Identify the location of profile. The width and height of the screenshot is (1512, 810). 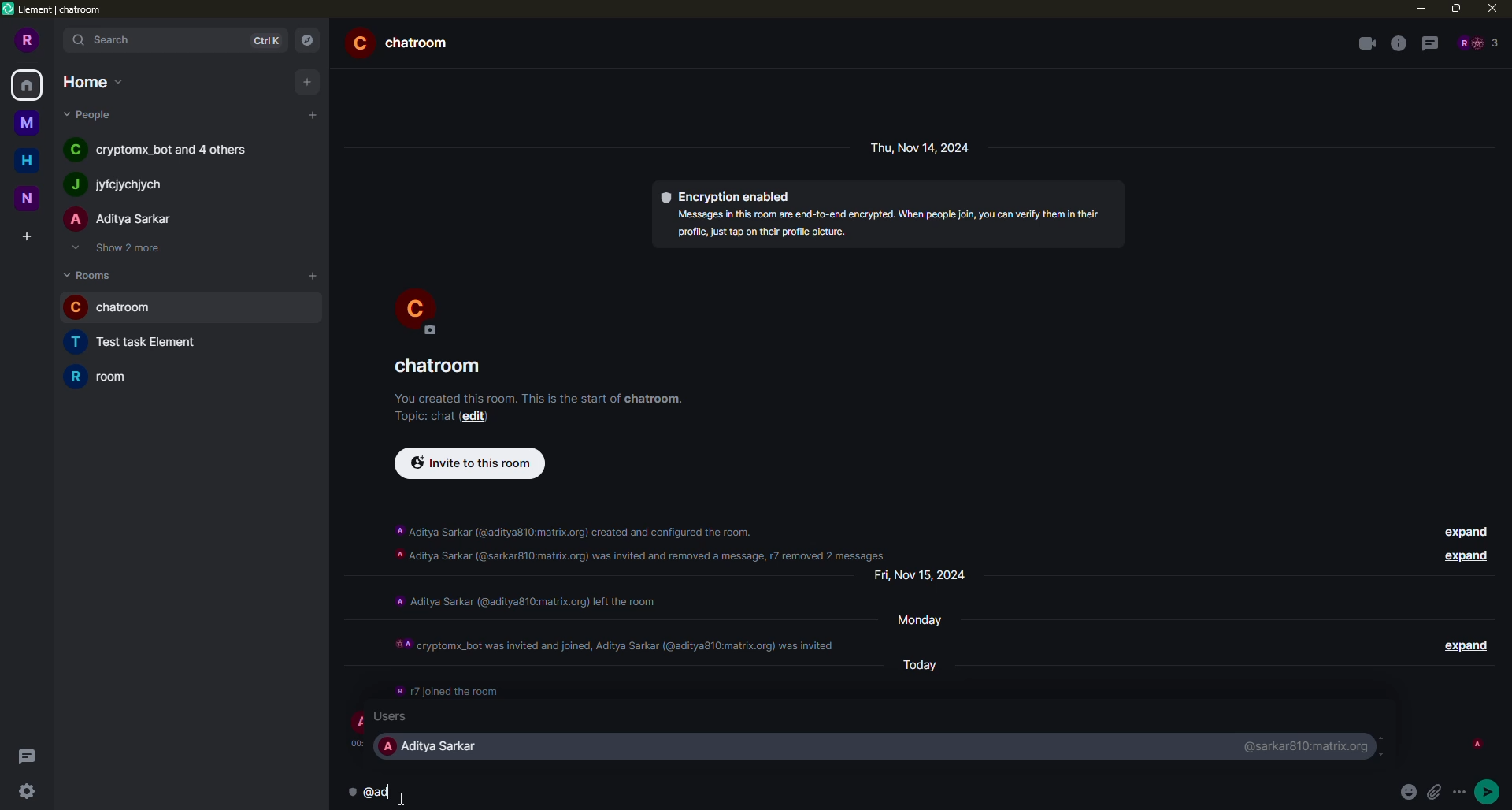
(361, 722).